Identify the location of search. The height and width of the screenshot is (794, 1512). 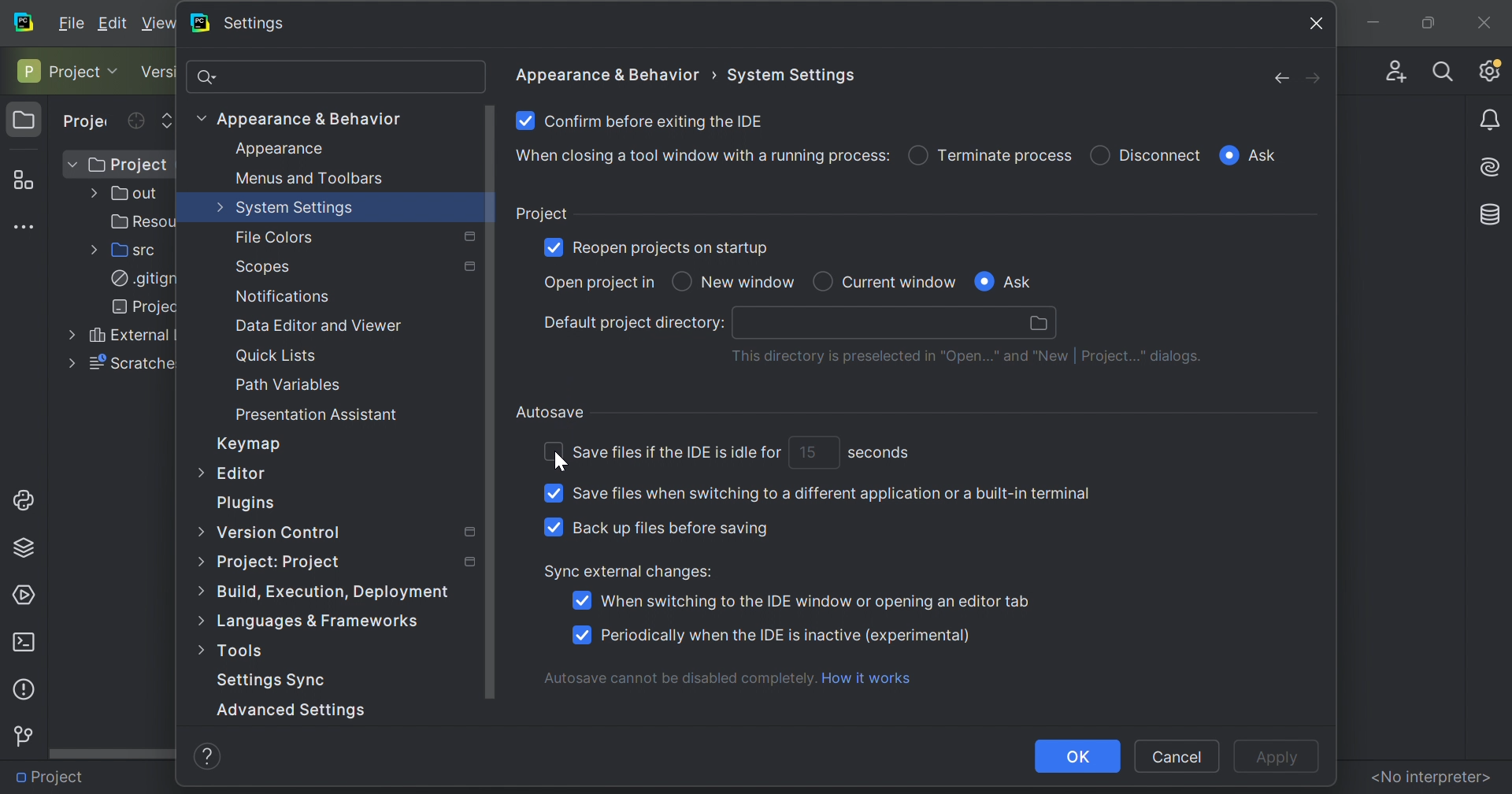
(876, 323).